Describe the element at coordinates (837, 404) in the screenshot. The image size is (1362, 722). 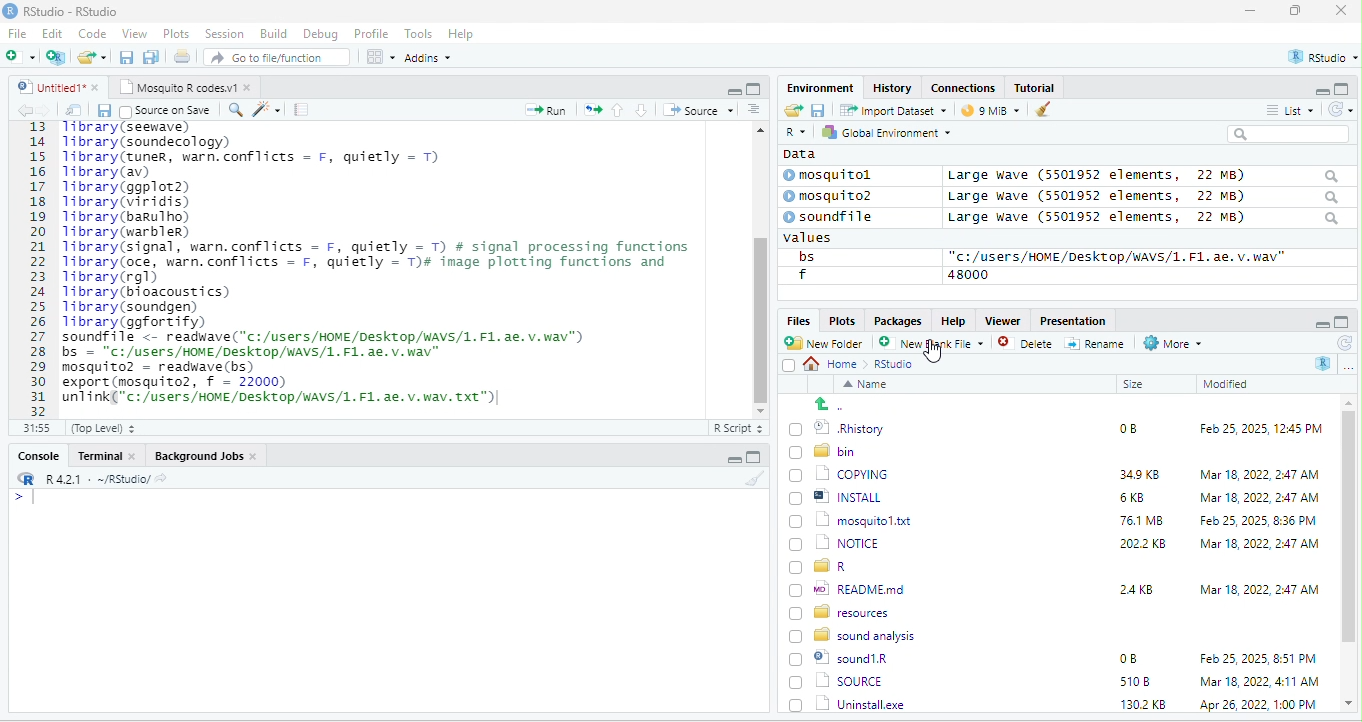
I see `go back` at that location.